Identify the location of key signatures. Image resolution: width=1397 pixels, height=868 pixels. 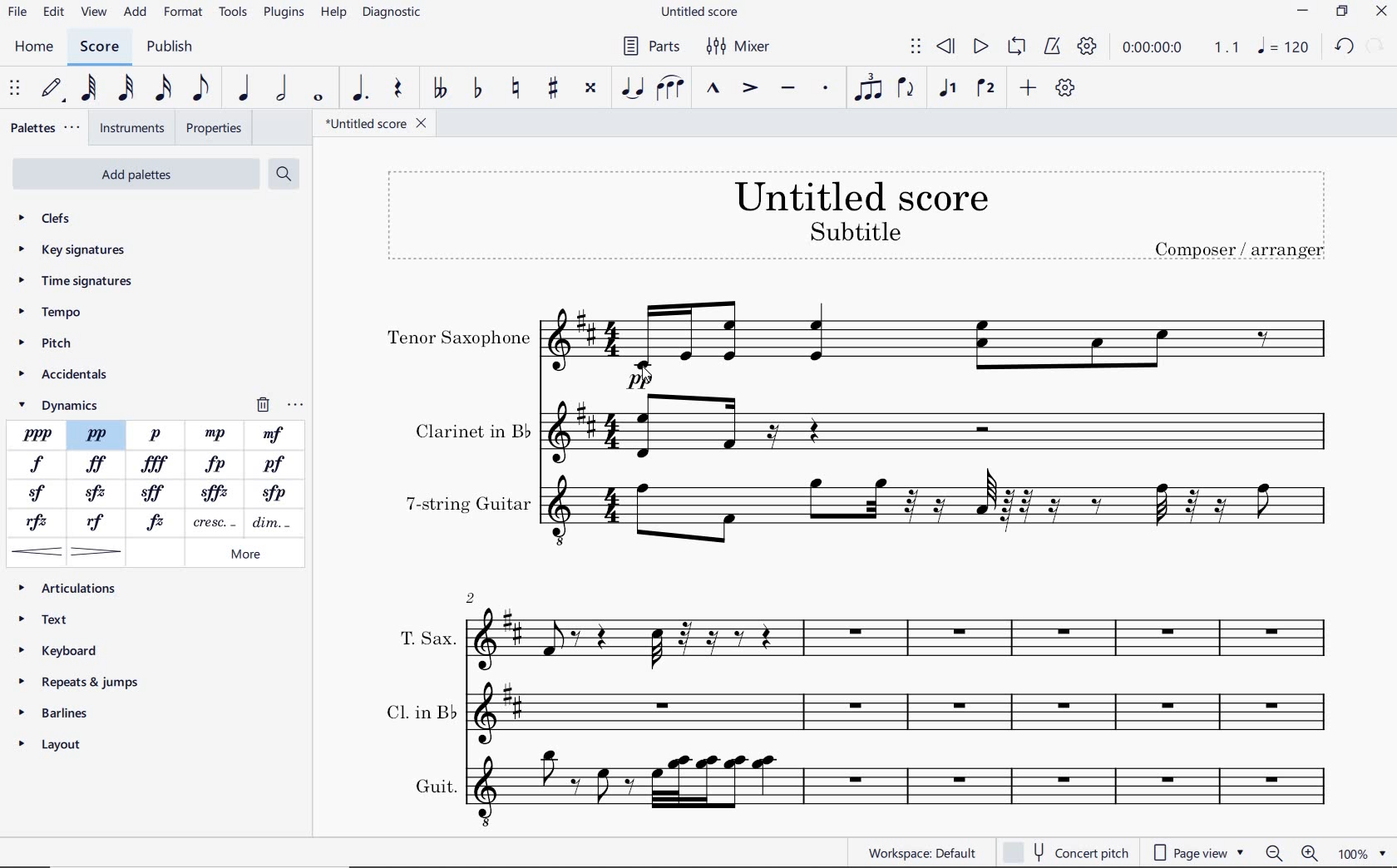
(72, 252).